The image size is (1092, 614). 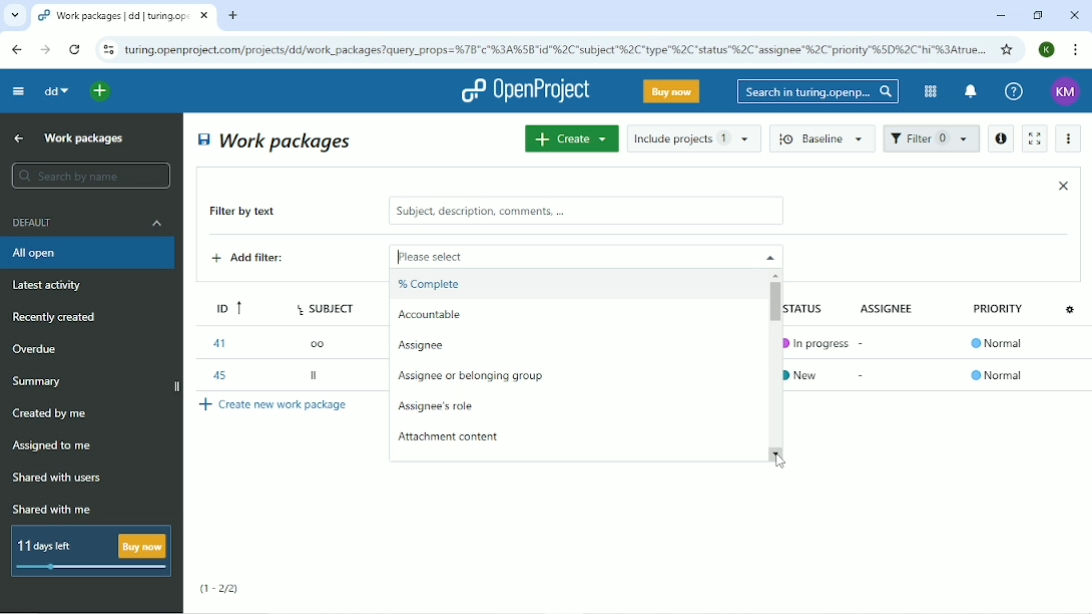 I want to click on Close, so click(x=1074, y=15).